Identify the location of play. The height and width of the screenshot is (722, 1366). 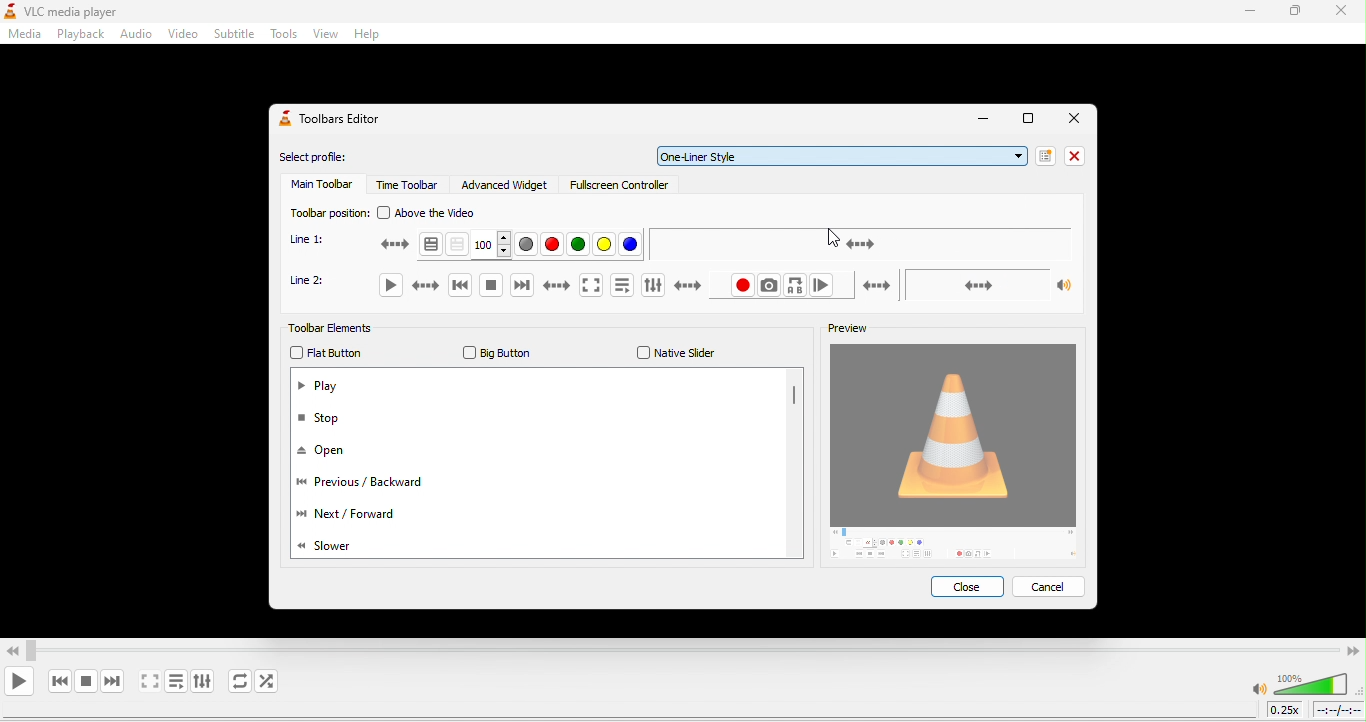
(20, 681).